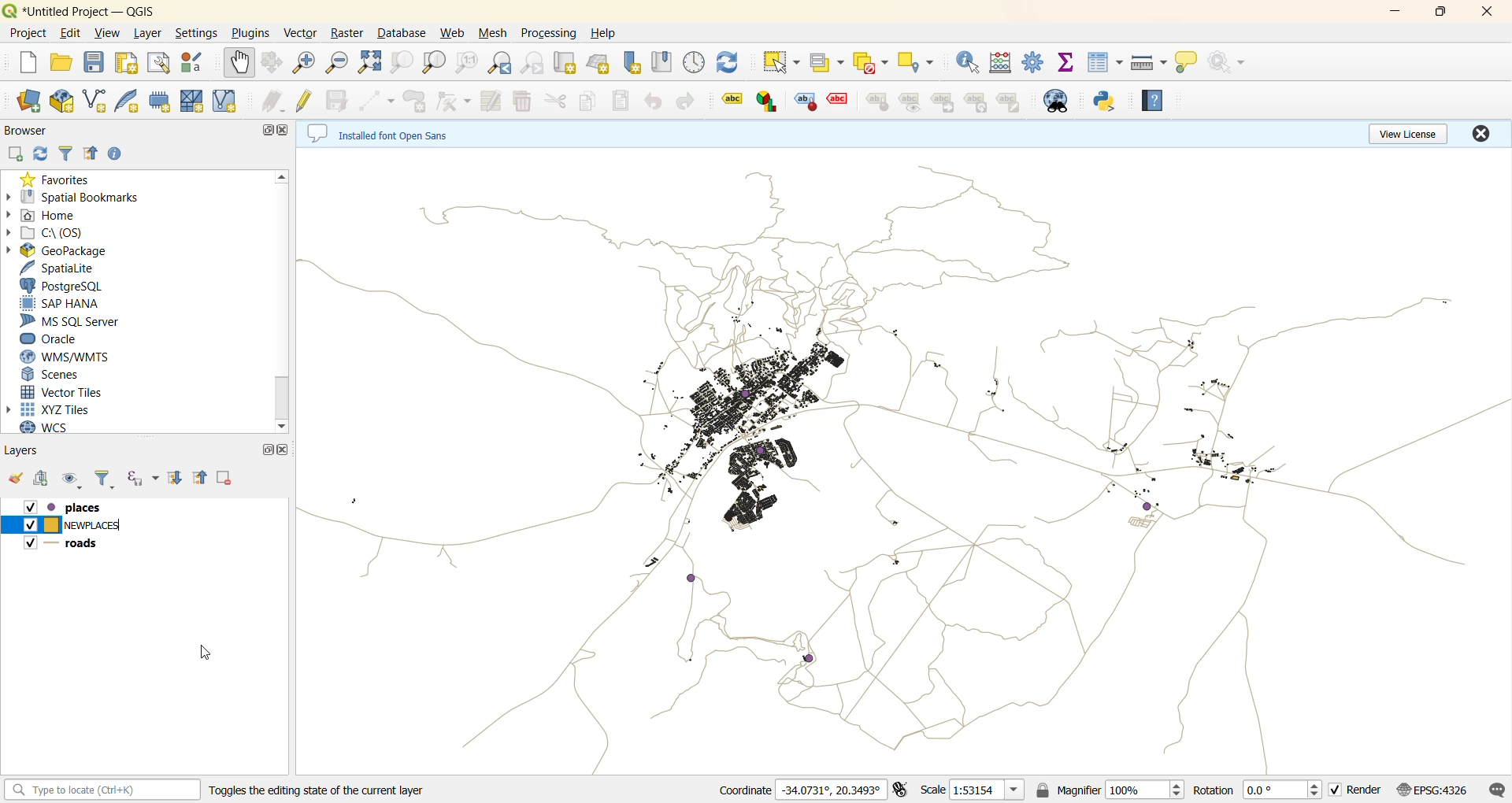  I want to click on attributes table, so click(1104, 62).